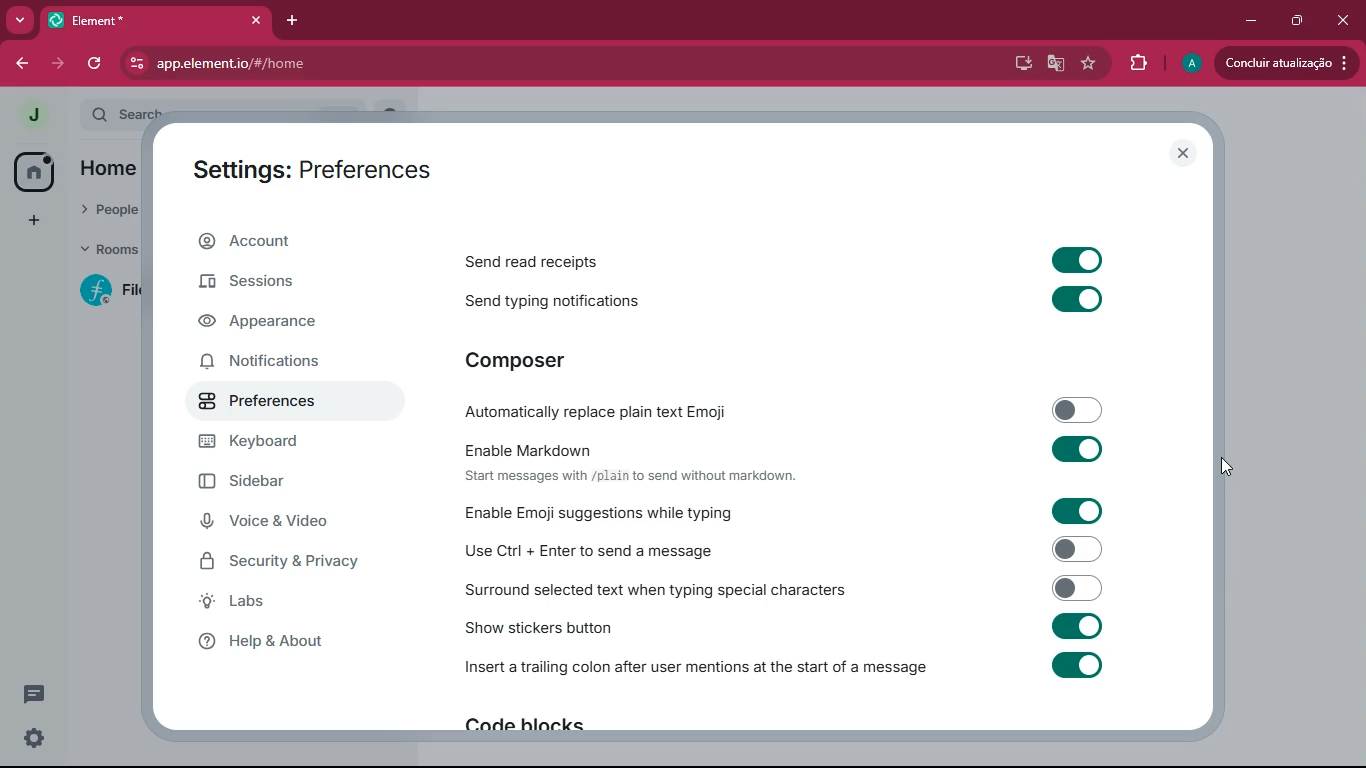 The height and width of the screenshot is (768, 1366). Describe the element at coordinates (786, 449) in the screenshot. I see `Enable Markdown` at that location.